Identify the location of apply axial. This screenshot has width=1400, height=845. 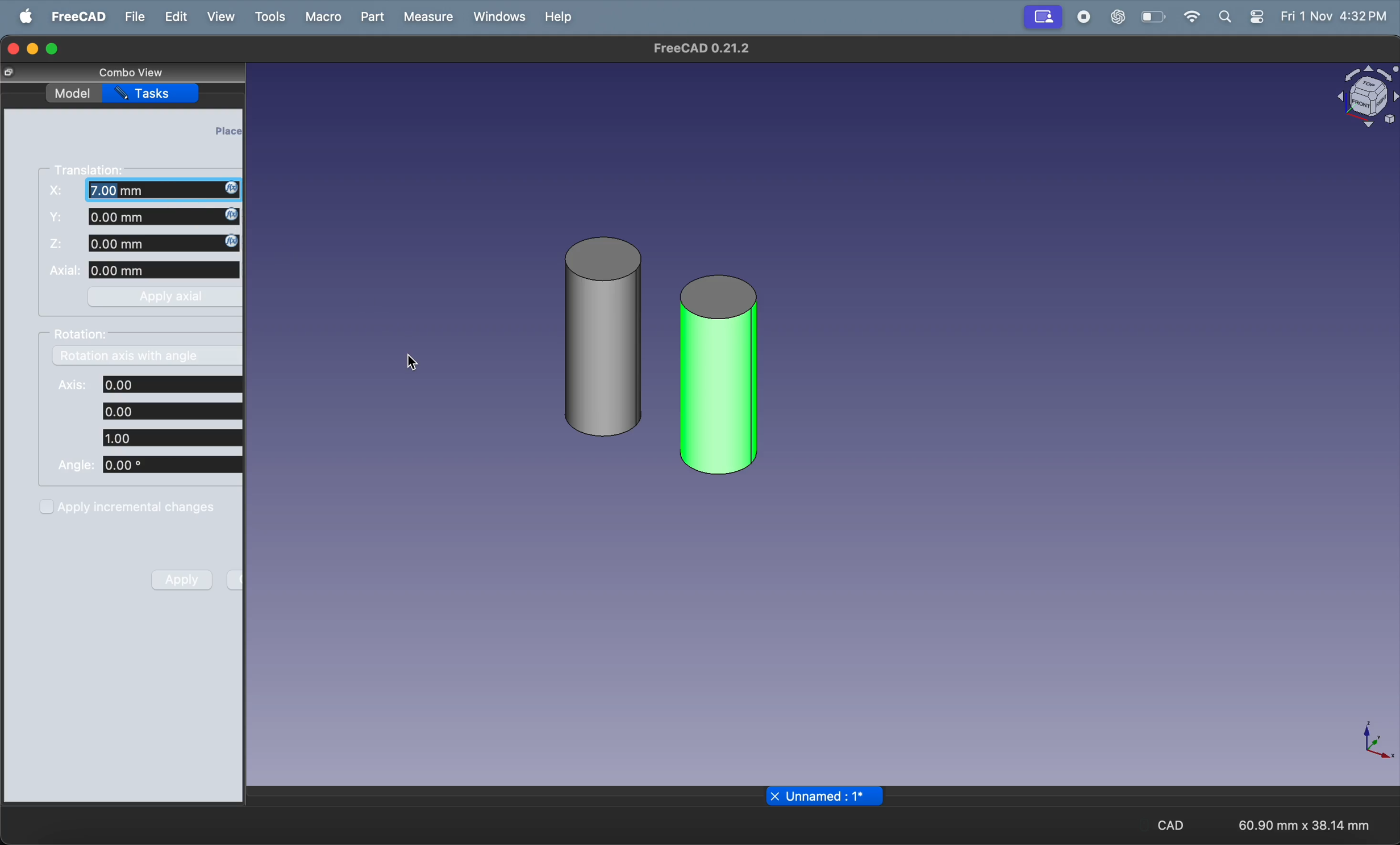
(163, 299).